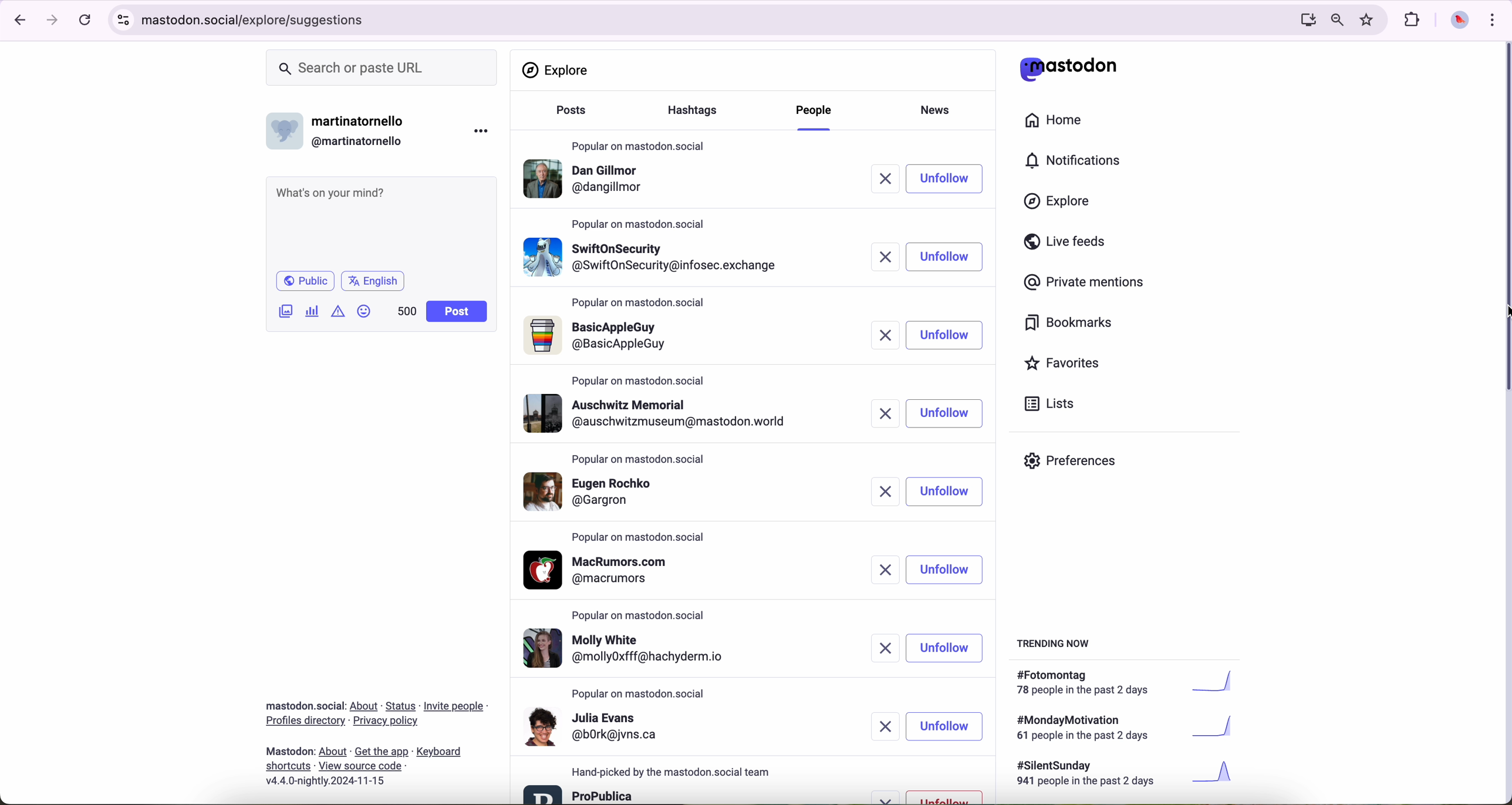 The width and height of the screenshot is (1512, 805). Describe the element at coordinates (315, 311) in the screenshot. I see `charts` at that location.